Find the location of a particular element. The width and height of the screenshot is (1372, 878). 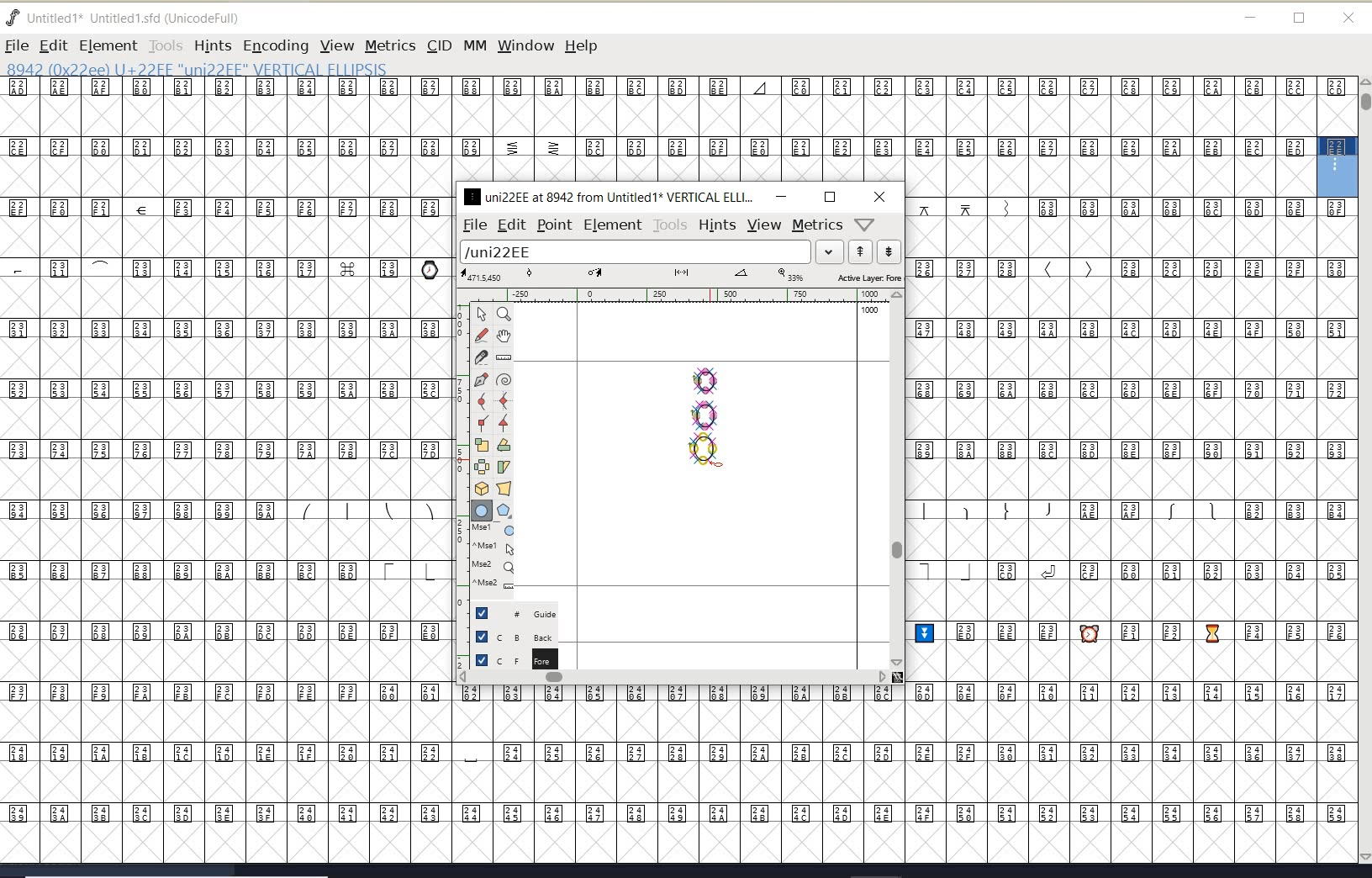

add a point, then drag out its control points is located at coordinates (481, 378).